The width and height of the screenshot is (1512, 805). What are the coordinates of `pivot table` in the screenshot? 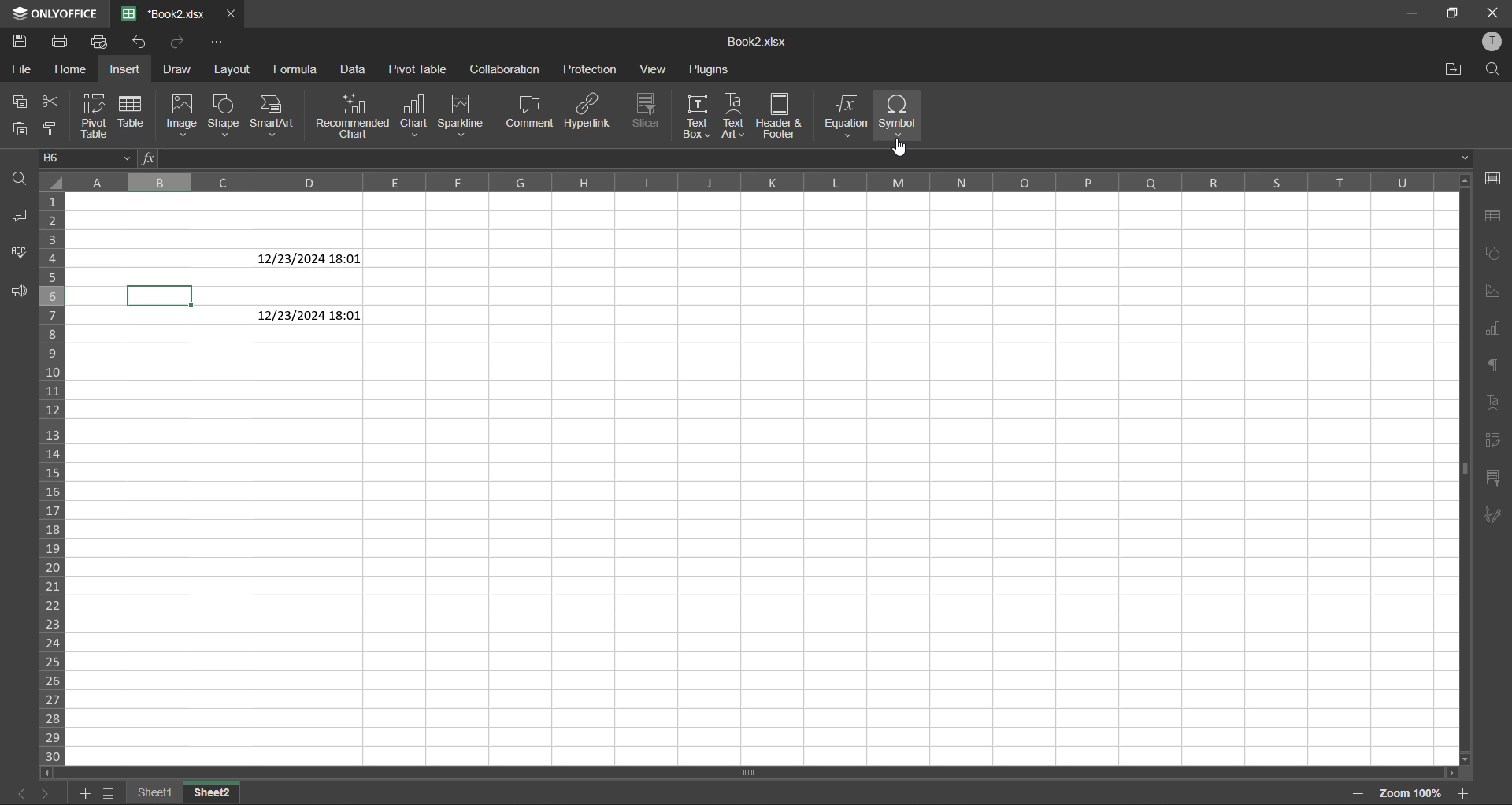 It's located at (421, 69).